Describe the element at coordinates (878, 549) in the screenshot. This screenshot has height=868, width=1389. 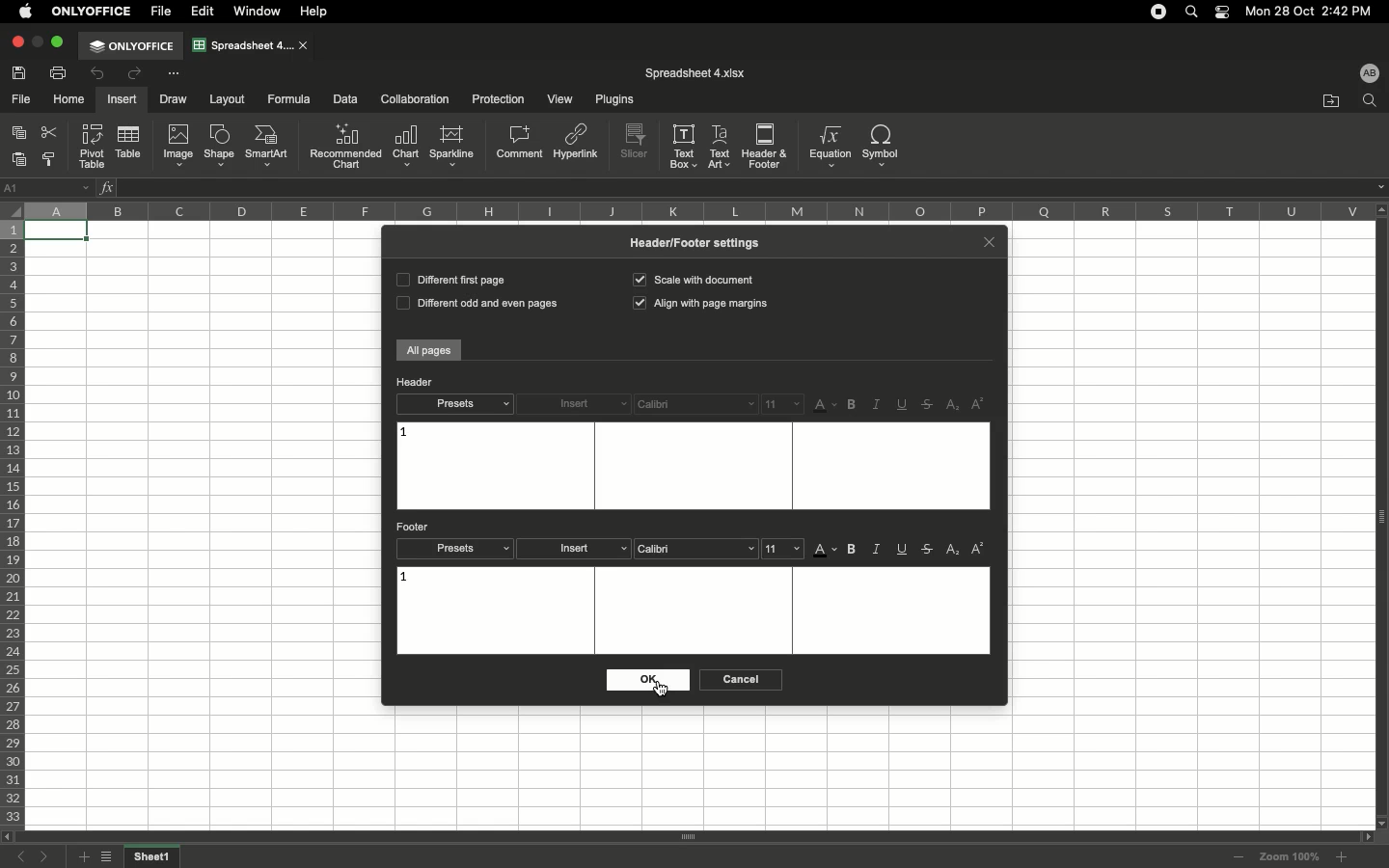
I see `Italics` at that location.